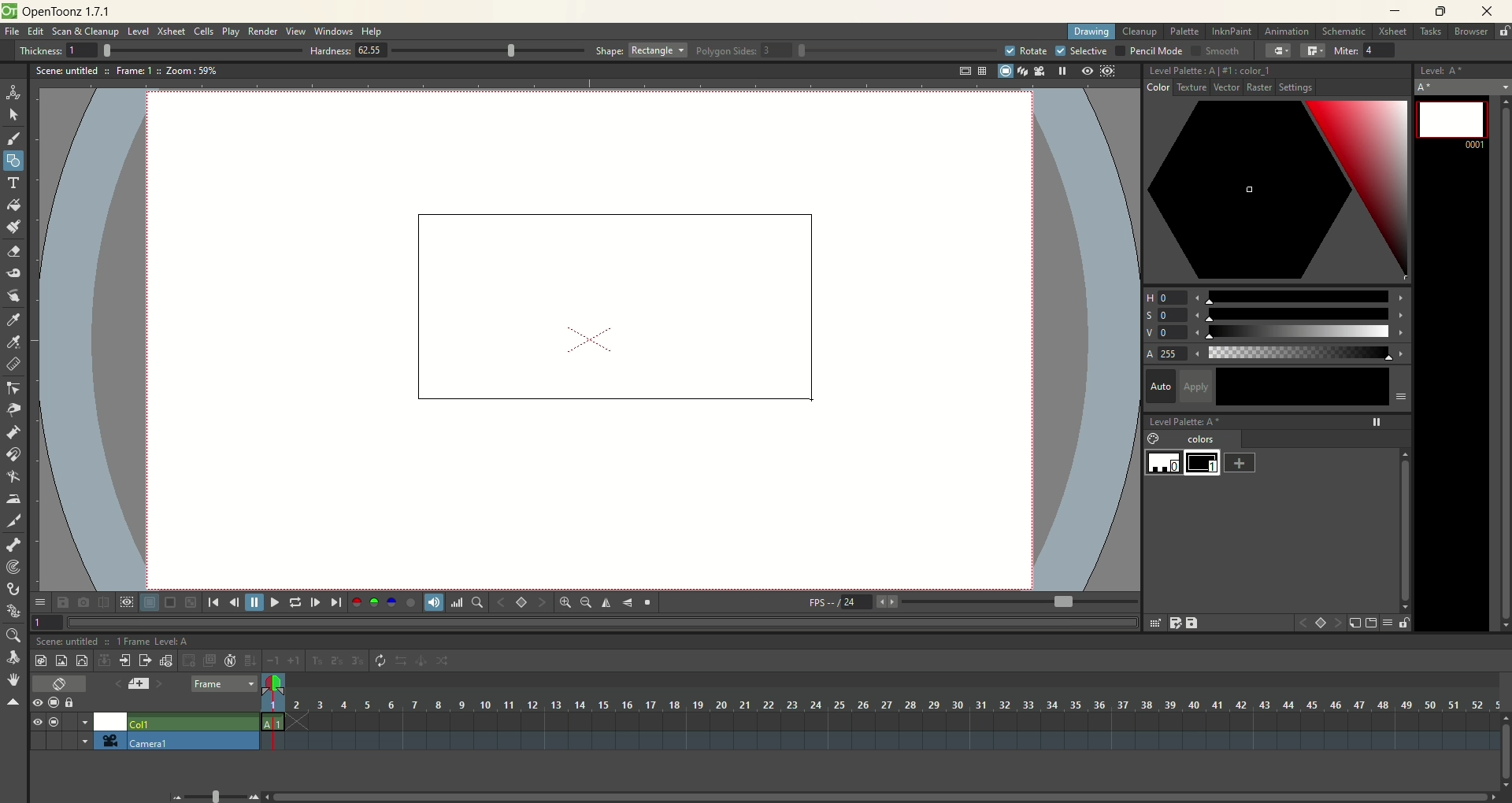 The height and width of the screenshot is (803, 1512). I want to click on white background, so click(149, 603).